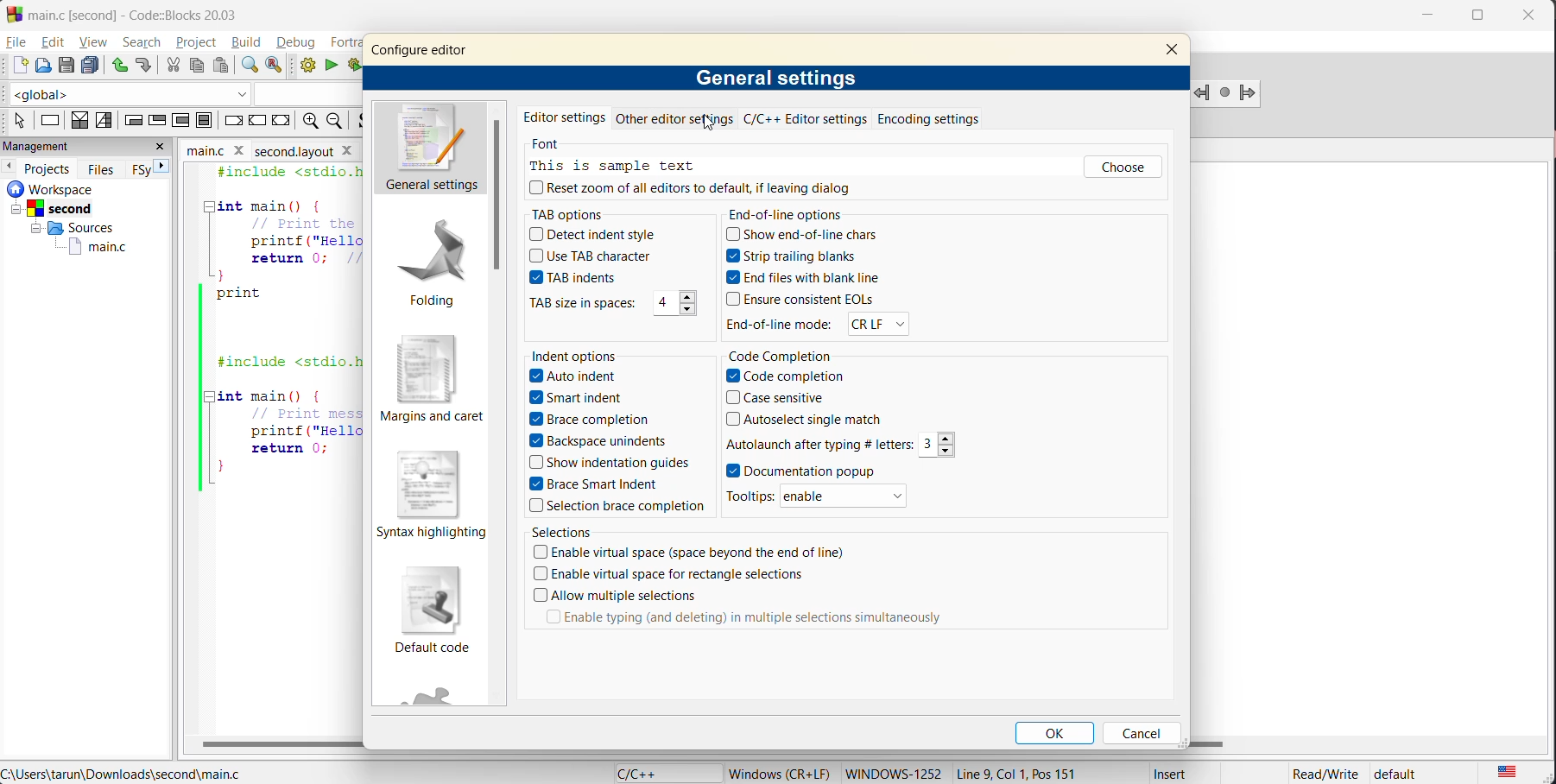  Describe the element at coordinates (156, 119) in the screenshot. I see `exit condition loop` at that location.